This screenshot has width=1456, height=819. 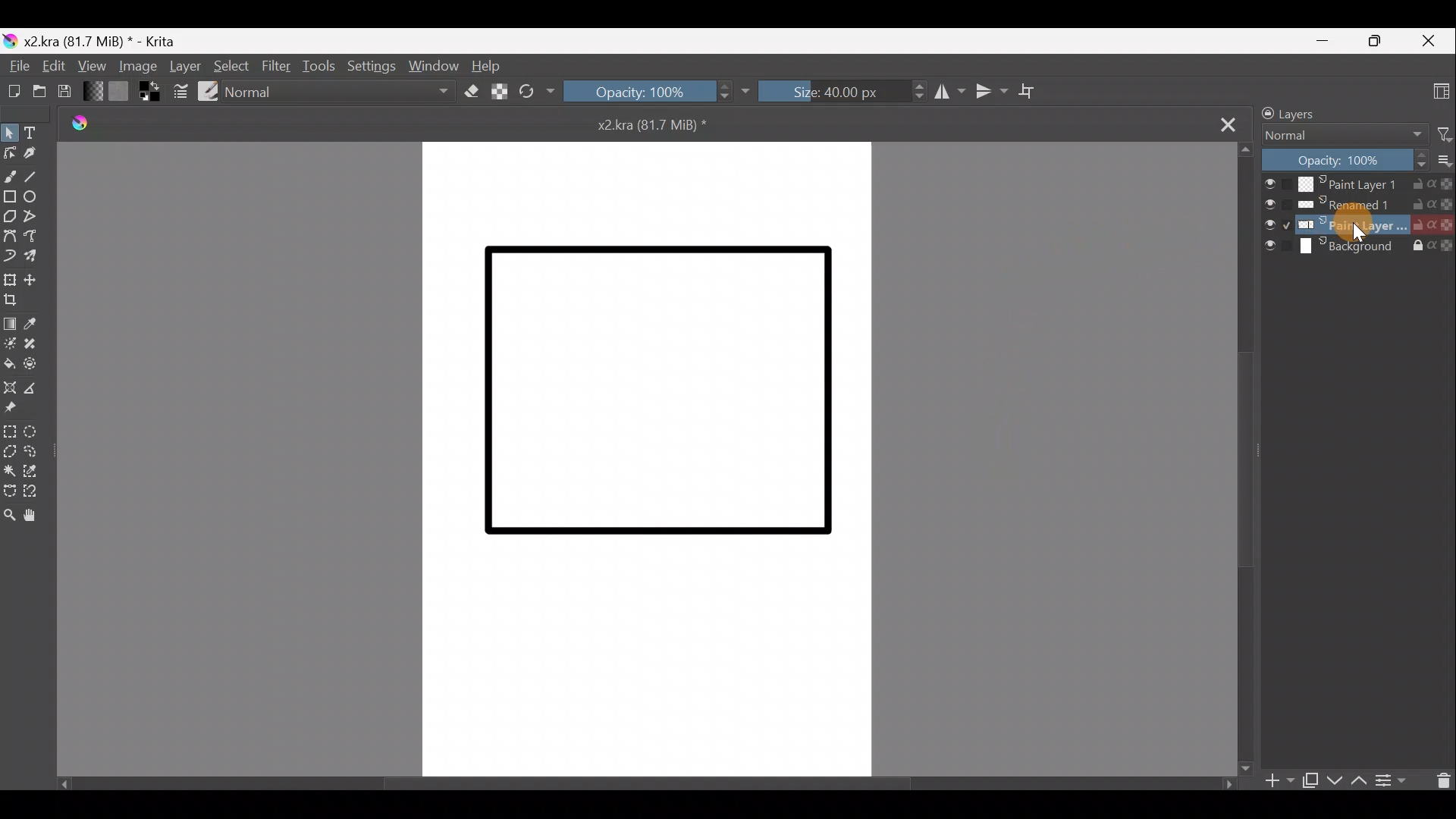 I want to click on Contiguous selection tool, so click(x=9, y=468).